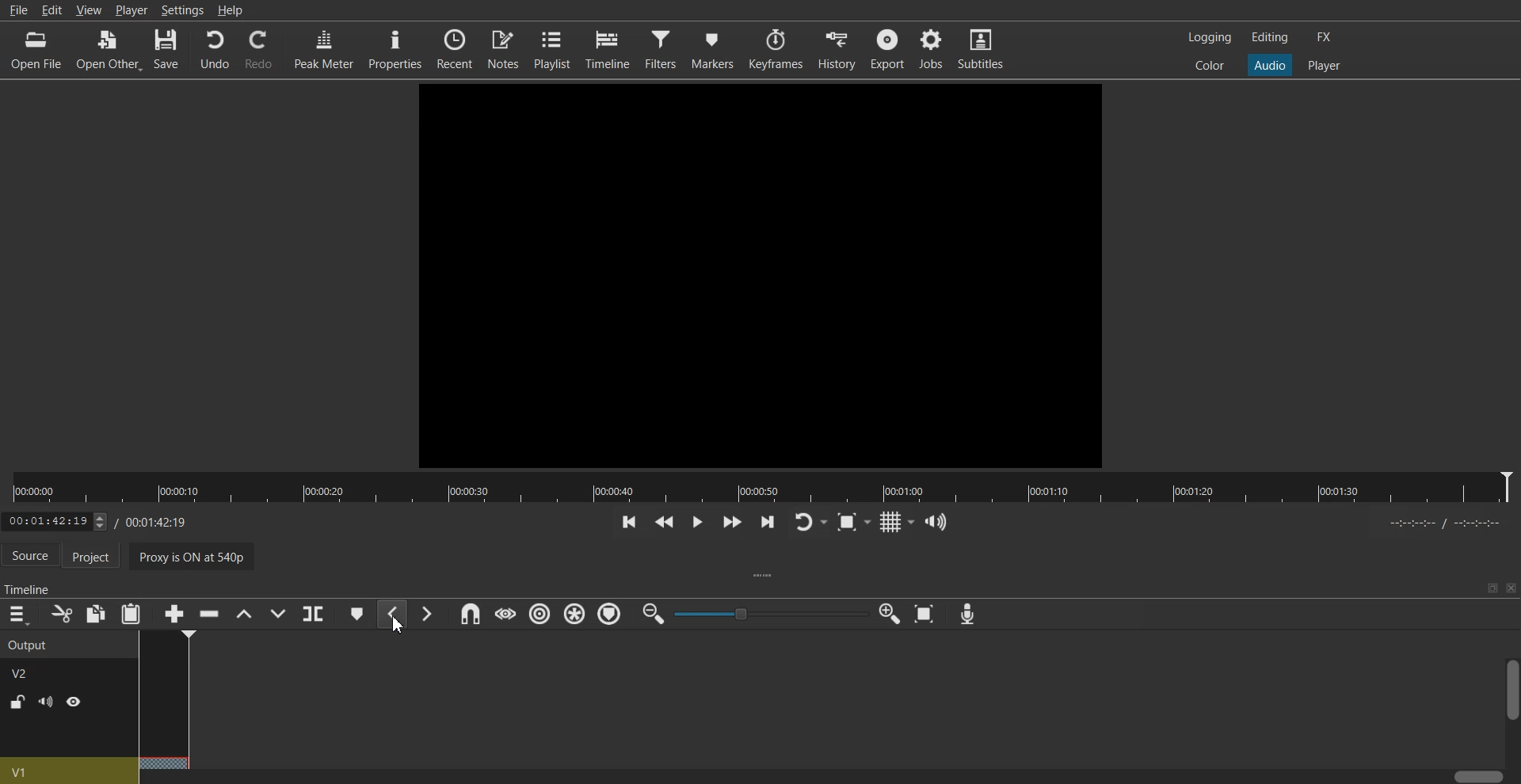 Image resolution: width=1521 pixels, height=784 pixels. Describe the element at coordinates (1211, 66) in the screenshot. I see `Switch to the color layout` at that location.